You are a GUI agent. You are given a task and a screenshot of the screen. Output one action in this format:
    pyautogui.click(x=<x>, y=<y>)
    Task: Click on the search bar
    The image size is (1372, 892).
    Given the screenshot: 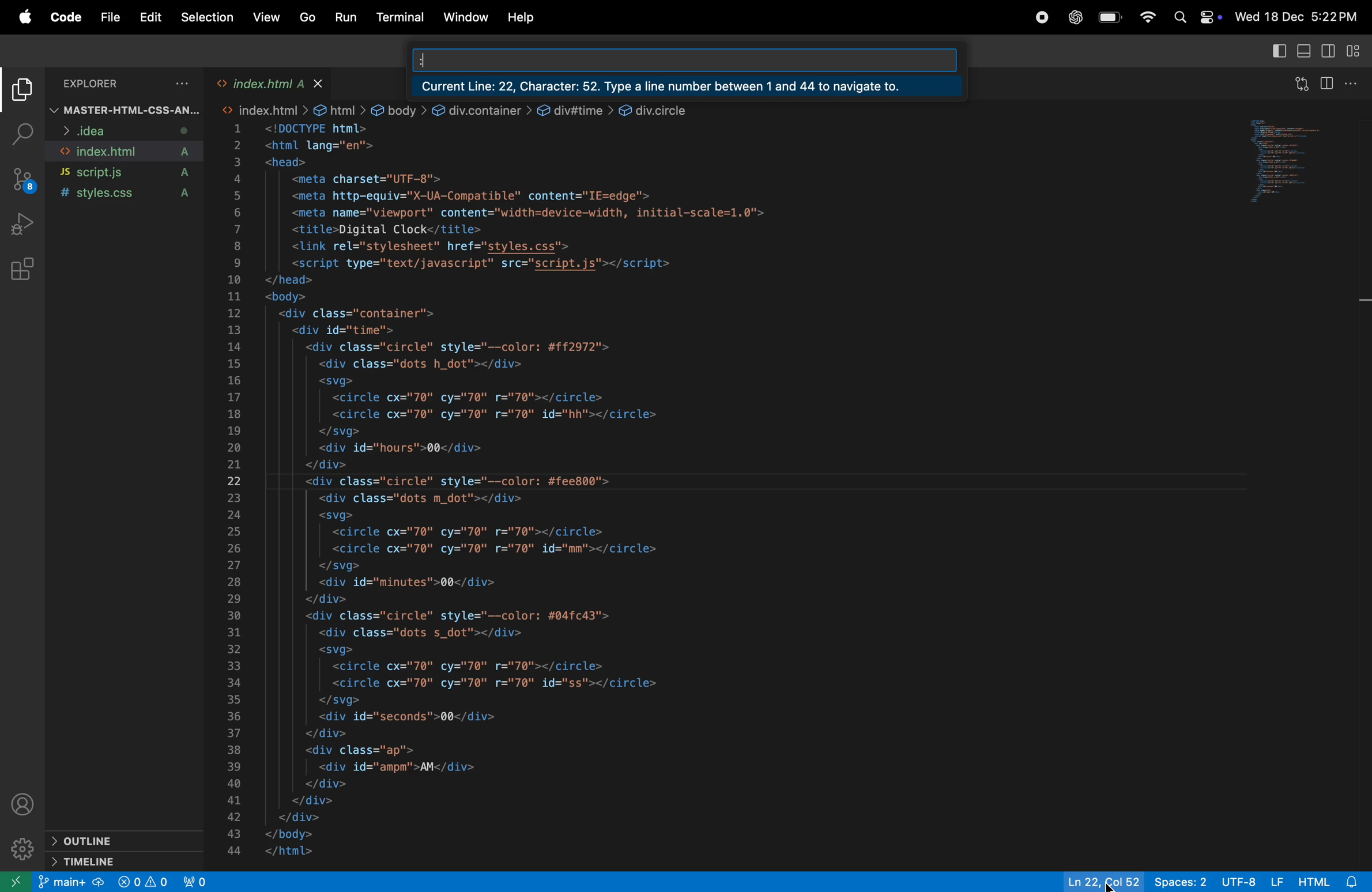 What is the action you would take?
    pyautogui.click(x=684, y=62)
    